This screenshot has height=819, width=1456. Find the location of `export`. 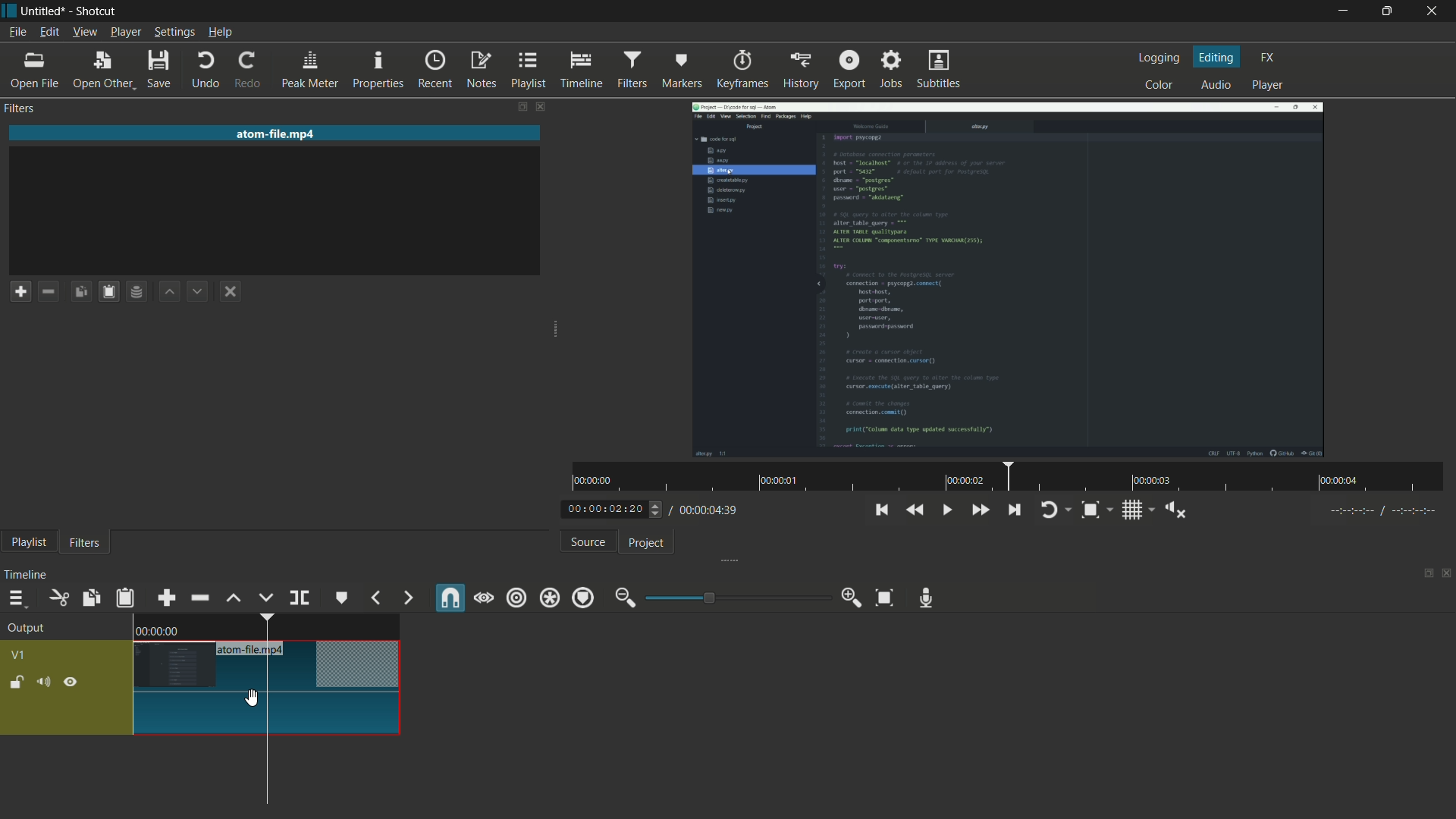

export is located at coordinates (850, 70).